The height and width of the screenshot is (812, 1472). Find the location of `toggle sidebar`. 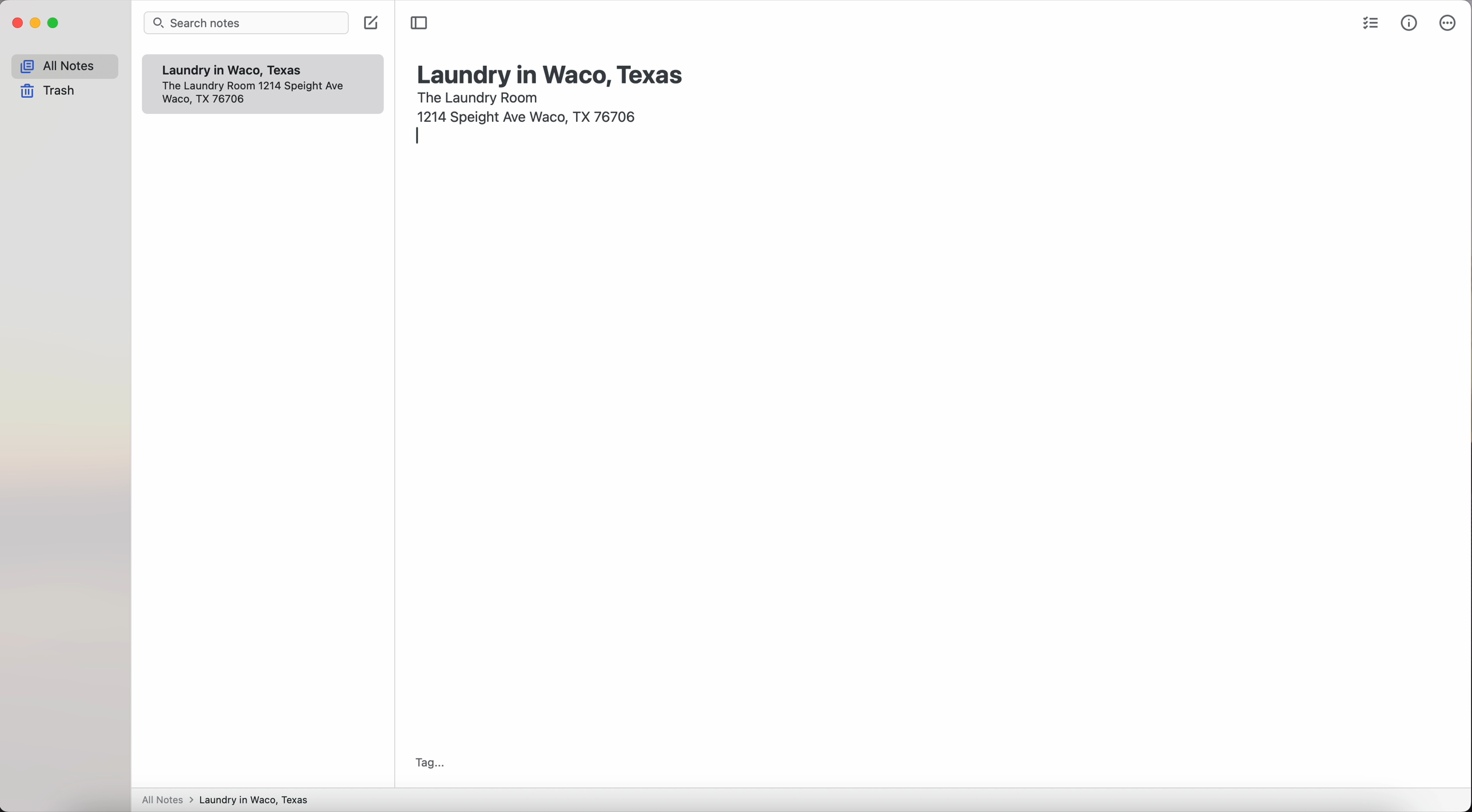

toggle sidebar is located at coordinates (419, 23).